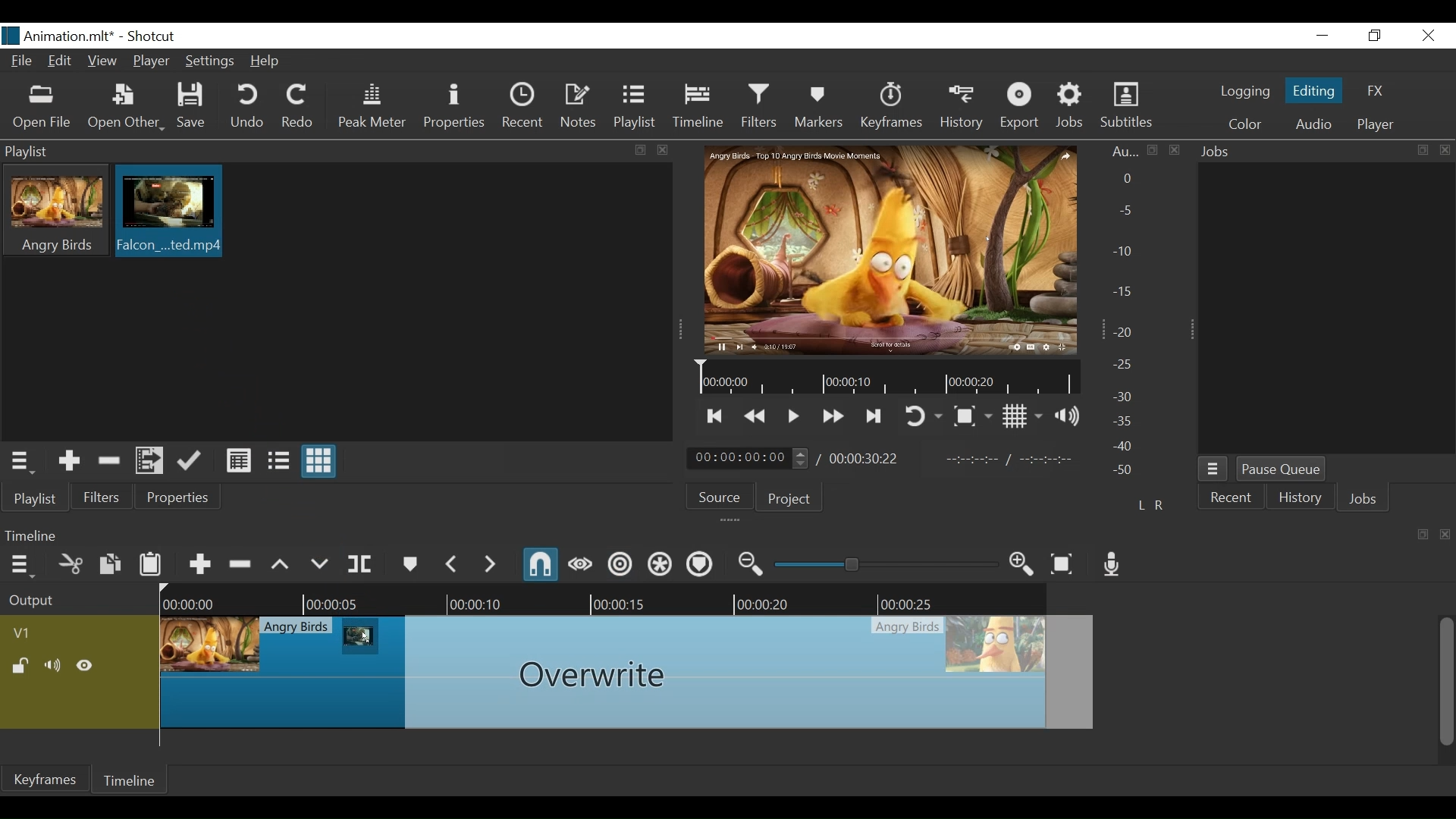  Describe the element at coordinates (542, 566) in the screenshot. I see `Snap` at that location.